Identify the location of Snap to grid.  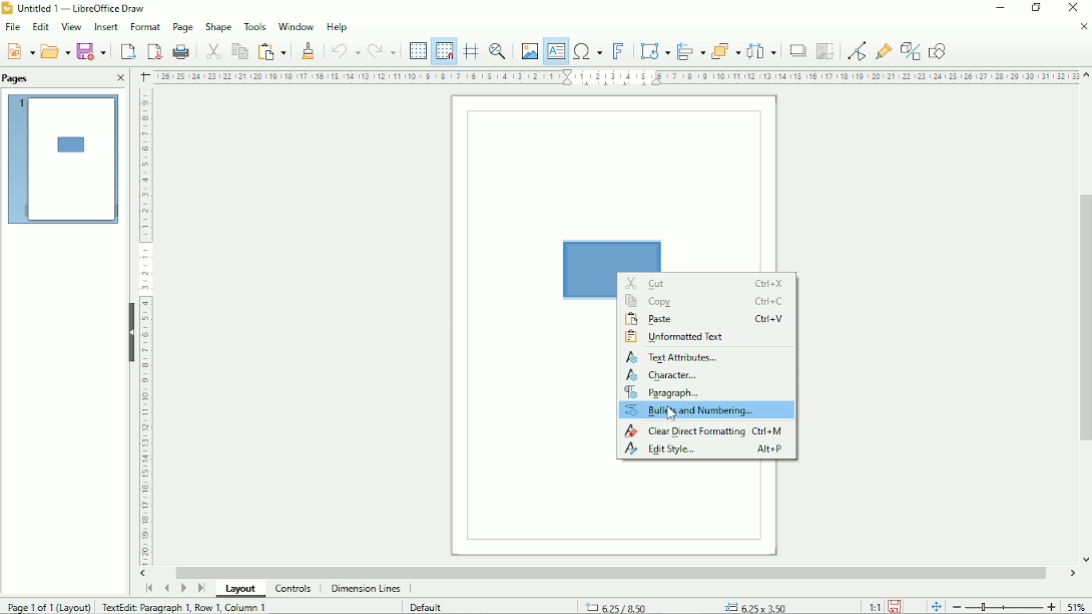
(443, 51).